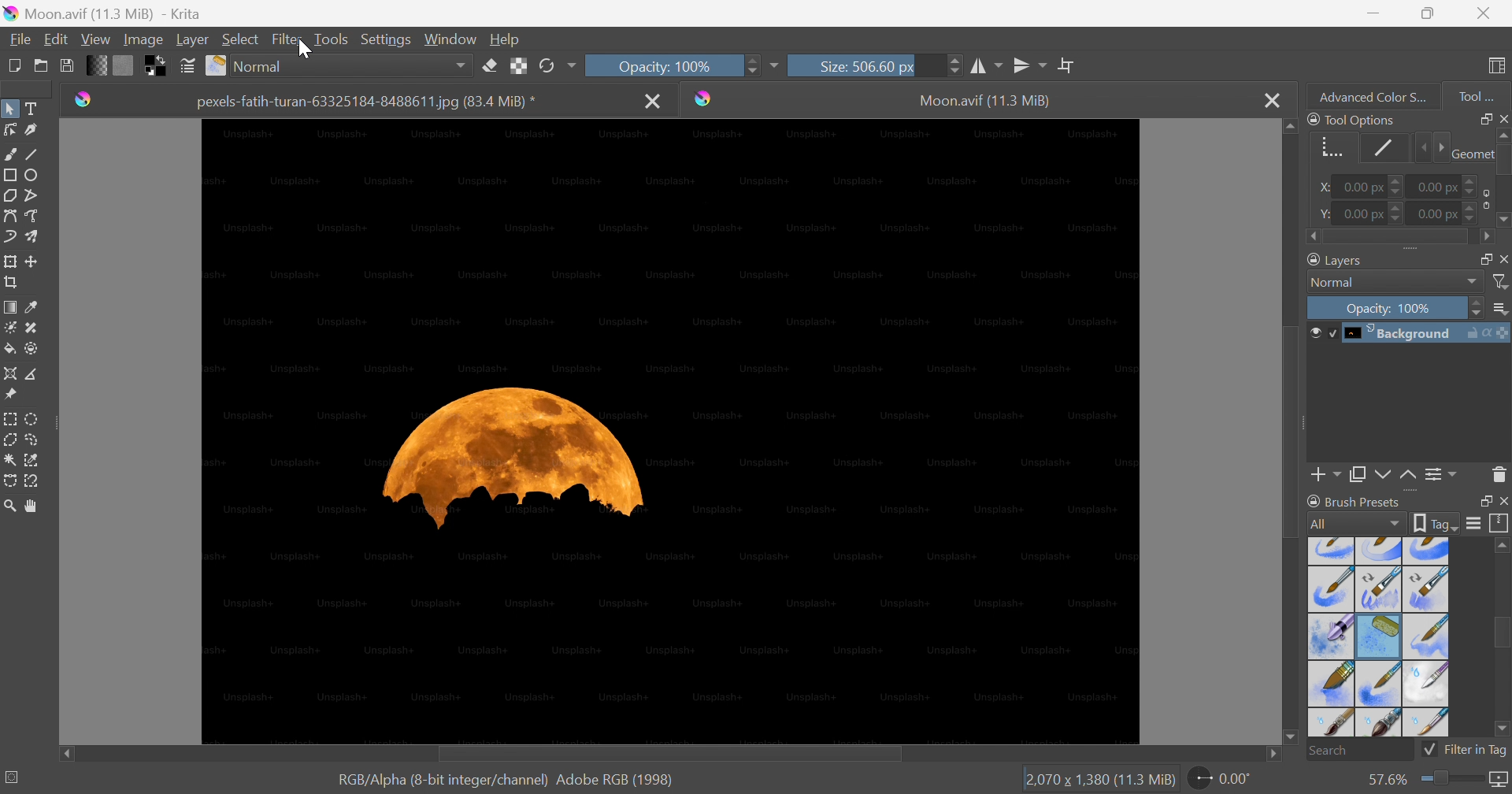 This screenshot has width=1512, height=794. Describe the element at coordinates (367, 102) in the screenshot. I see `pexels-fatih-turan-63325184-8488611.jpg (83.4 MiB) *)` at that location.